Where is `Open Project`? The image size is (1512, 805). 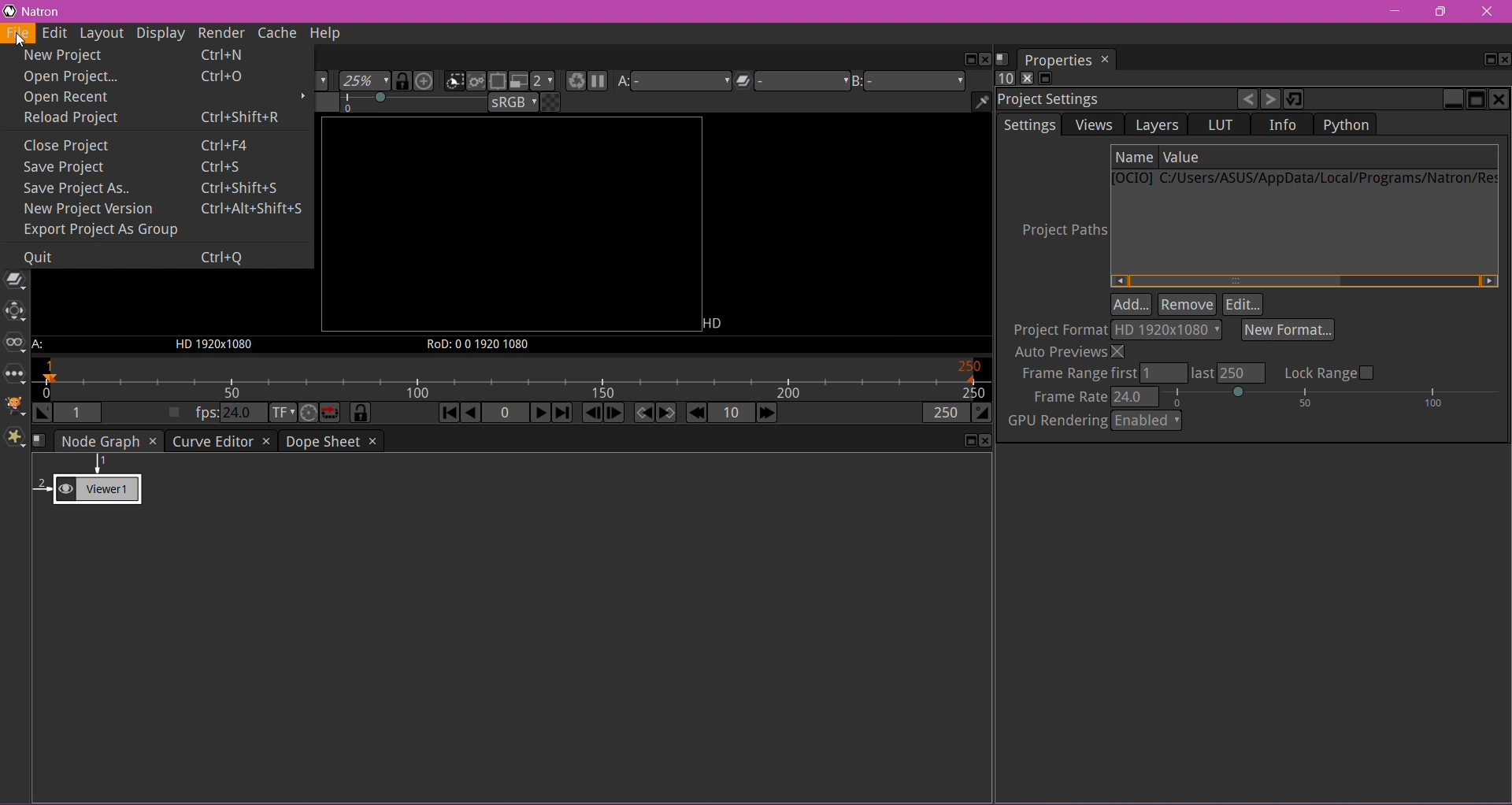 Open Project is located at coordinates (149, 75).